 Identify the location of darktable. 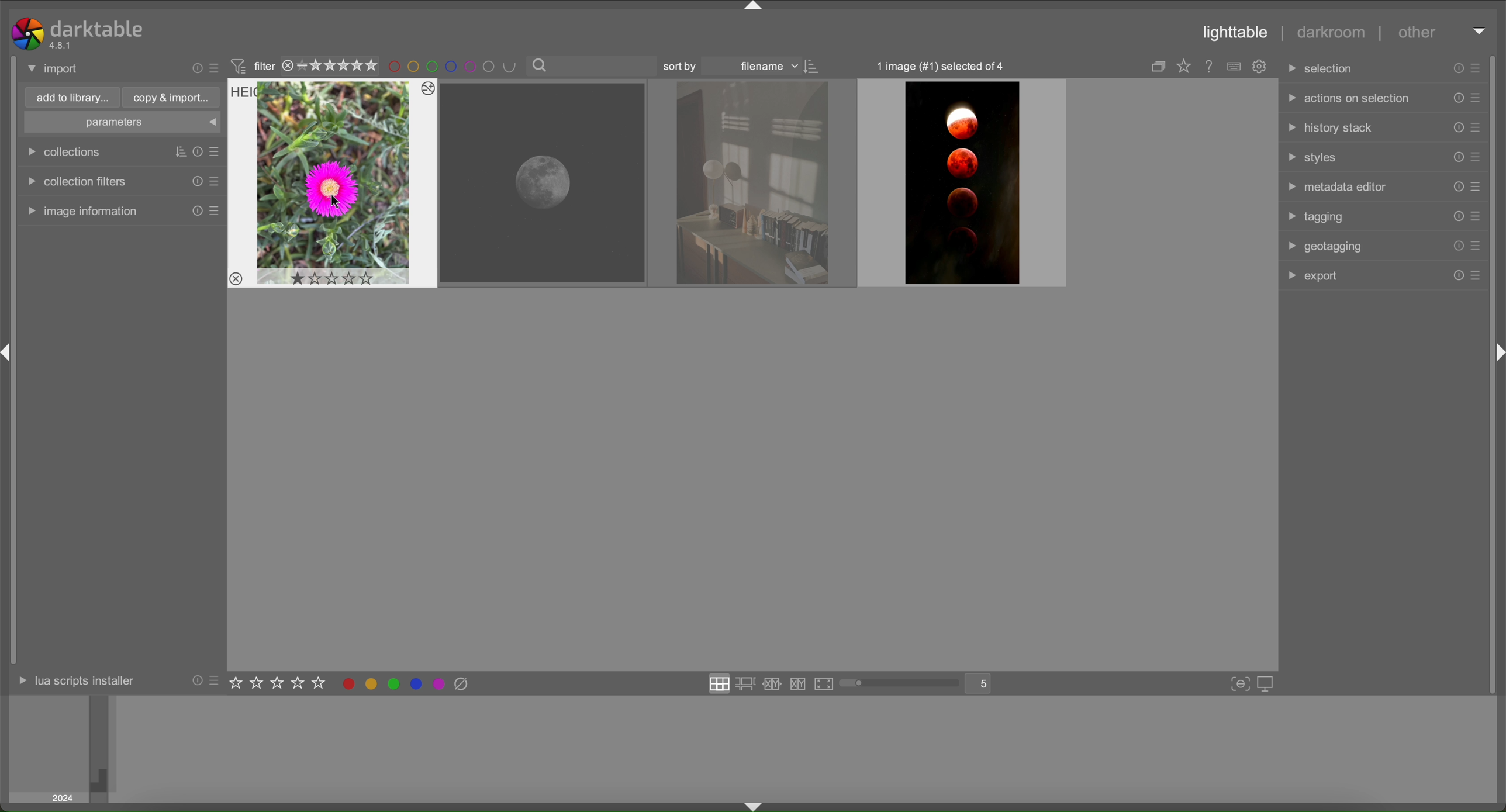
(98, 29).